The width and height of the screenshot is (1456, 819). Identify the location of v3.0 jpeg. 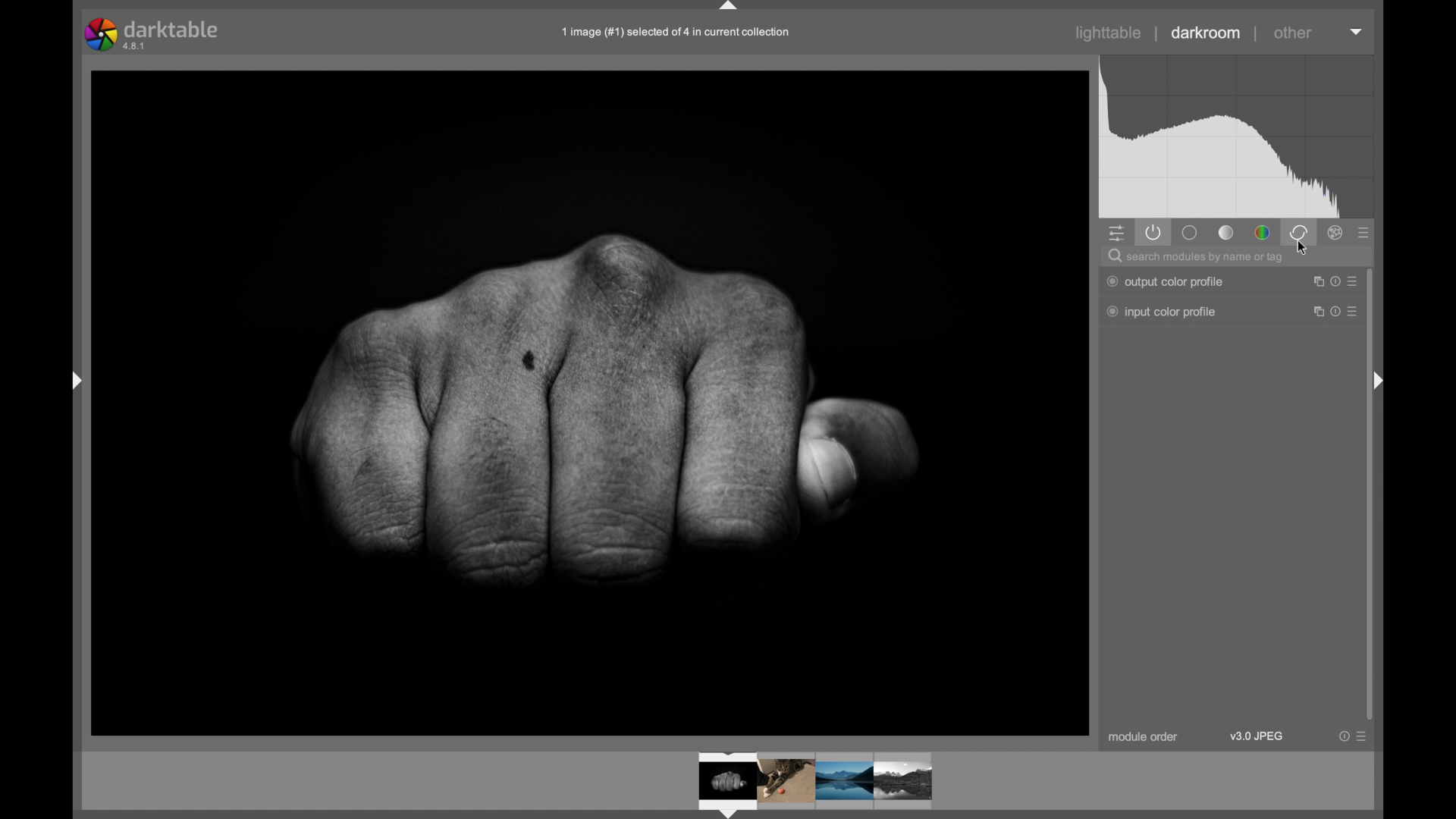
(1257, 736).